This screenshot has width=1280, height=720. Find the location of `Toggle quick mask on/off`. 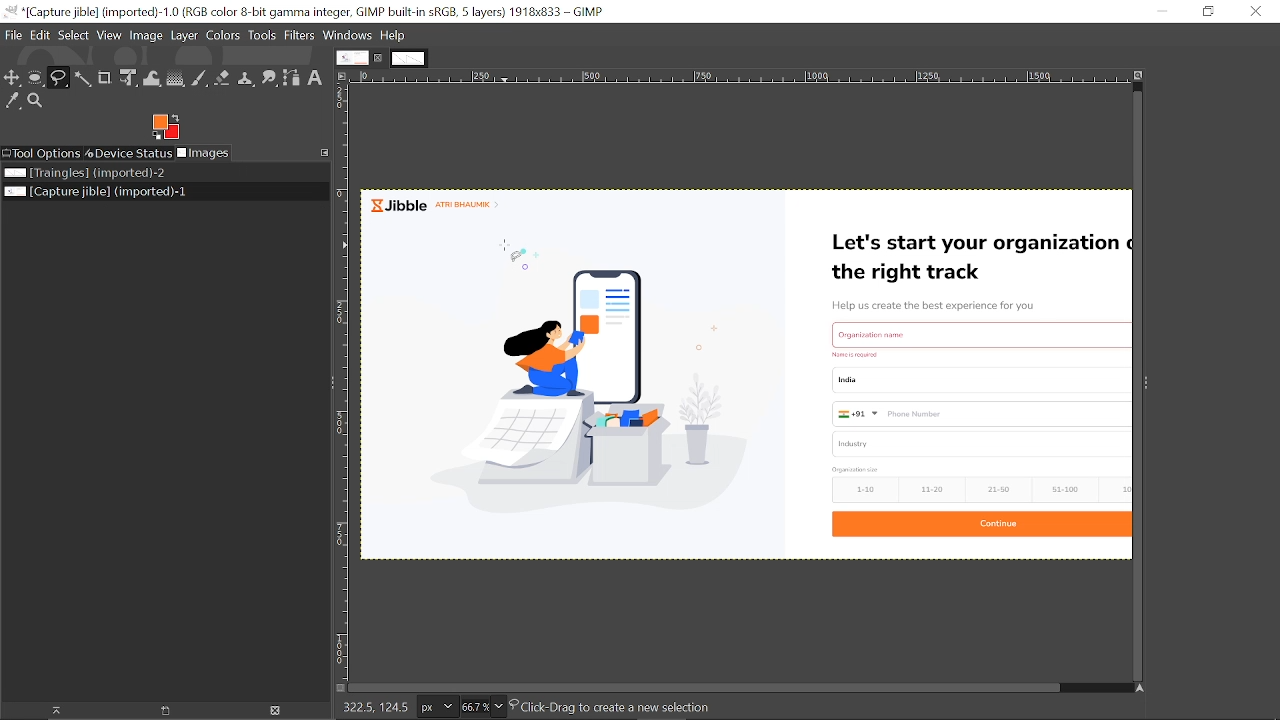

Toggle quick mask on/off is located at coordinates (336, 688).